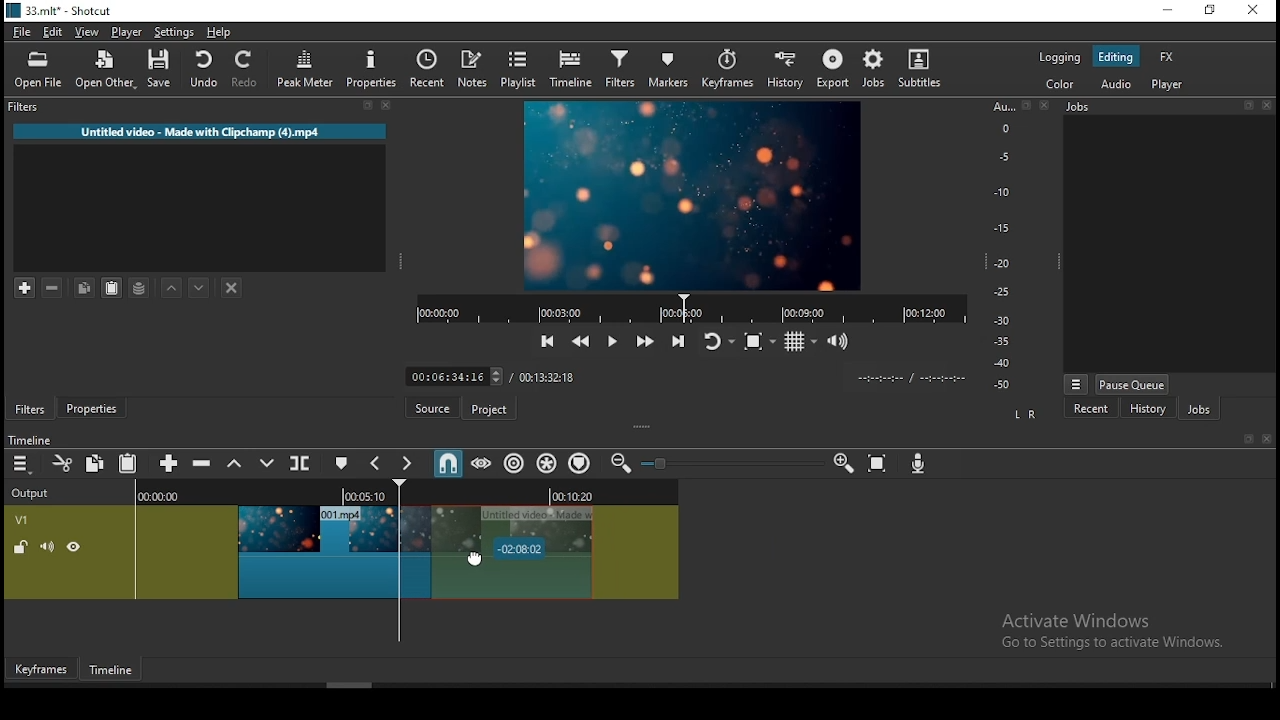  Describe the element at coordinates (33, 439) in the screenshot. I see `timeline` at that location.